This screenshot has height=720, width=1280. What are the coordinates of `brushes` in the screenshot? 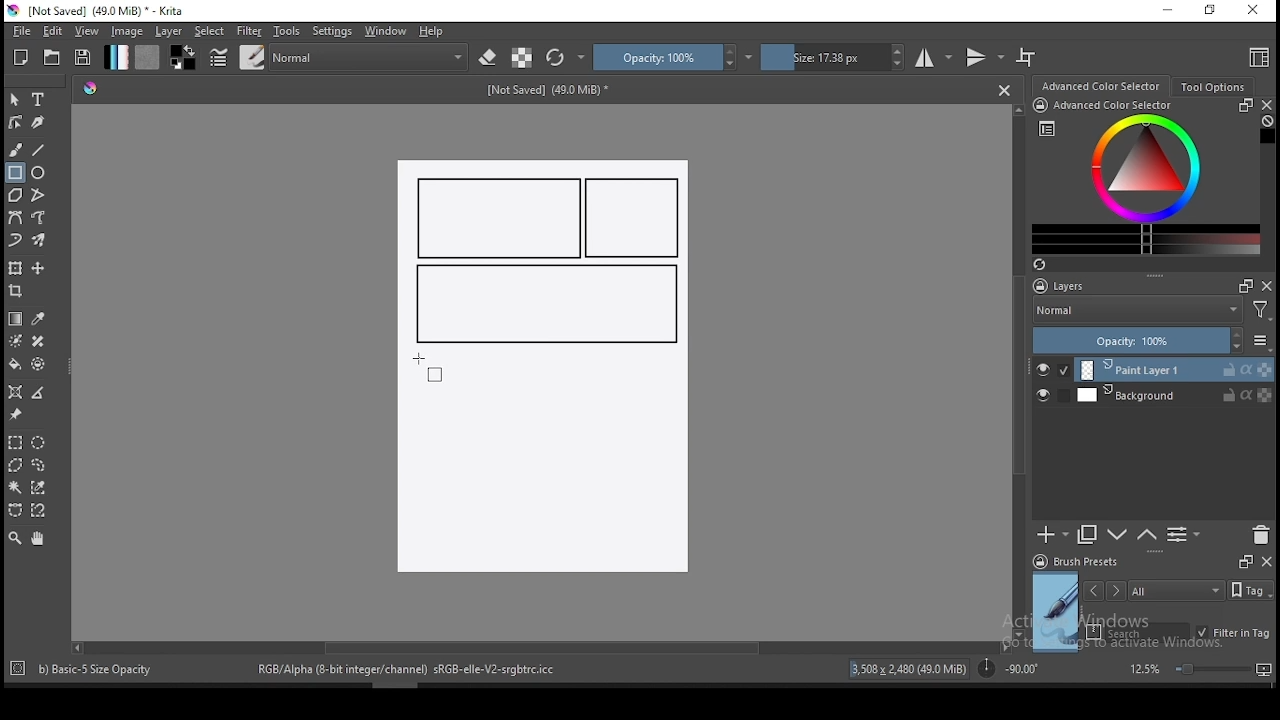 It's located at (252, 57).